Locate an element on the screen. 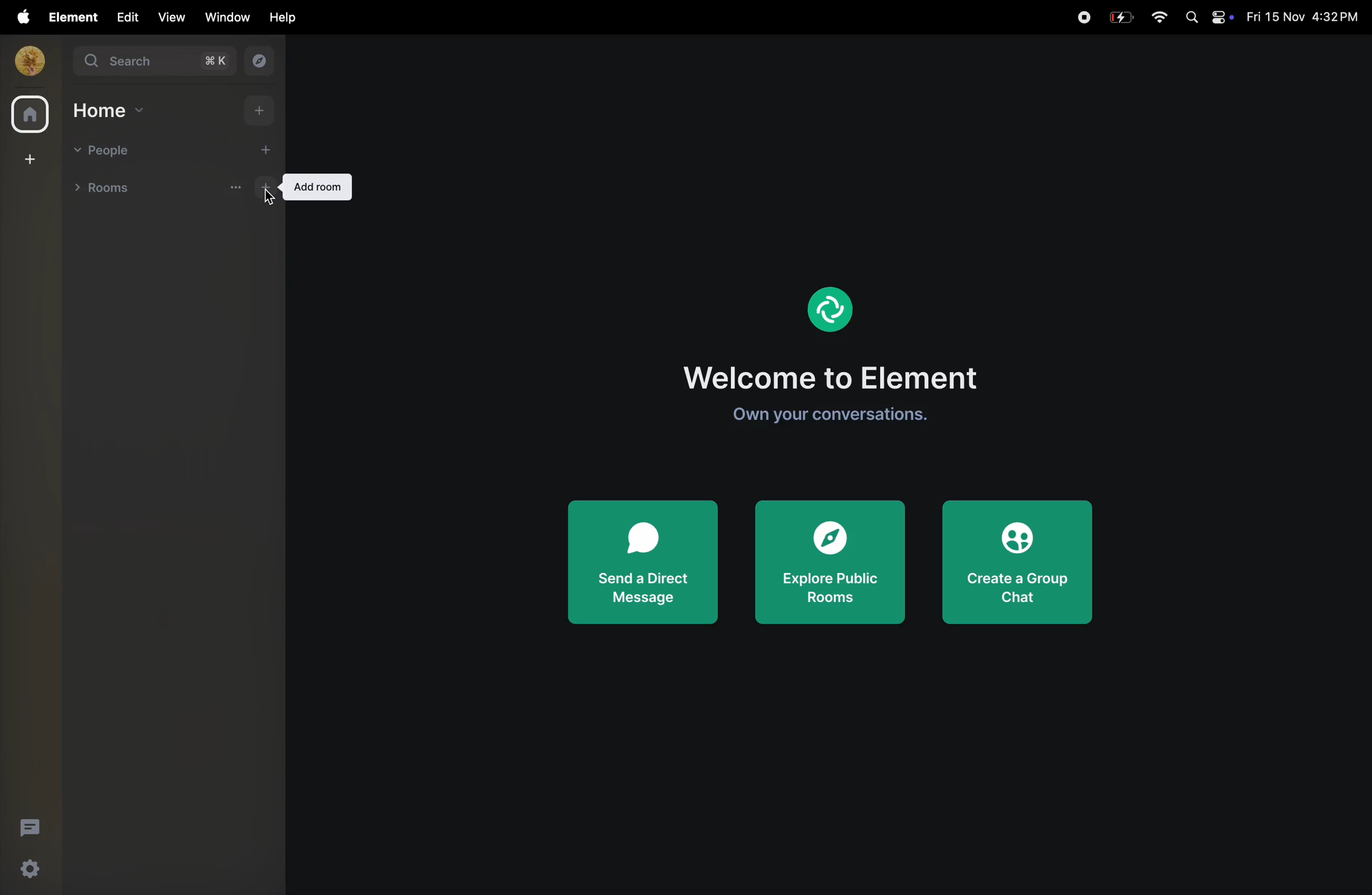 The height and width of the screenshot is (895, 1372). edit is located at coordinates (125, 17).